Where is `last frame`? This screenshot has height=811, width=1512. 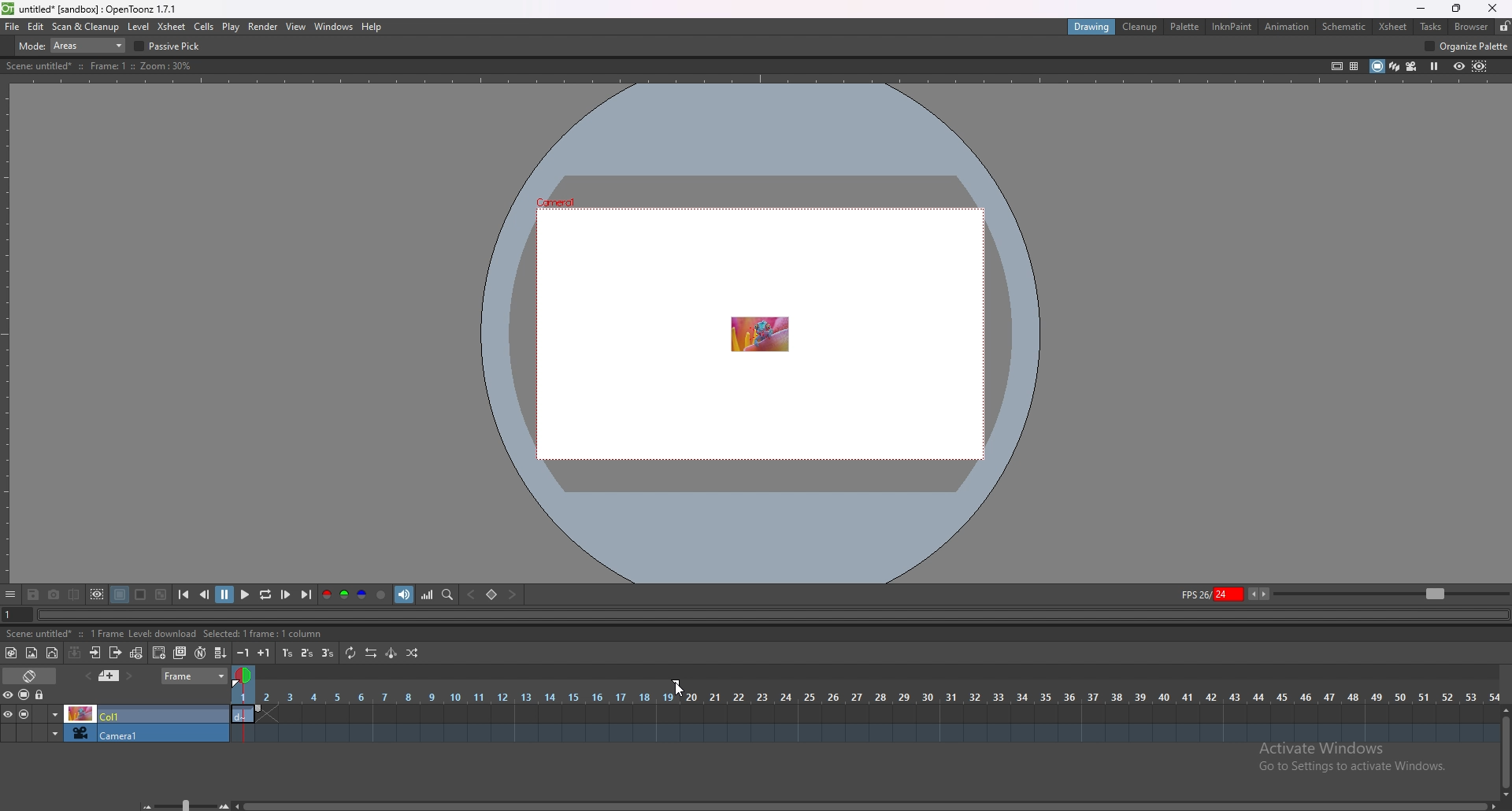
last frame is located at coordinates (306, 594).